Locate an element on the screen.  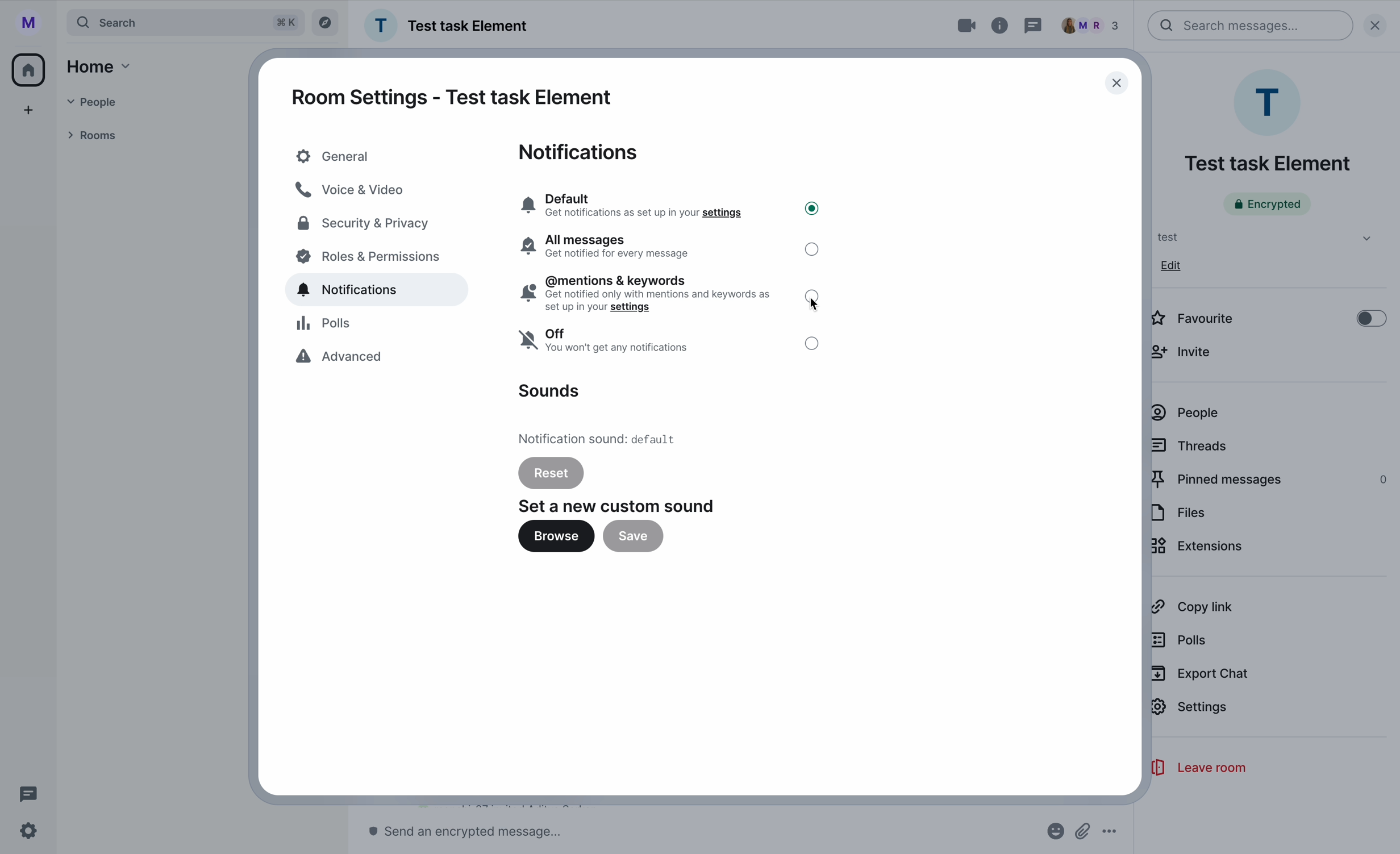
notification sound: default is located at coordinates (602, 438).